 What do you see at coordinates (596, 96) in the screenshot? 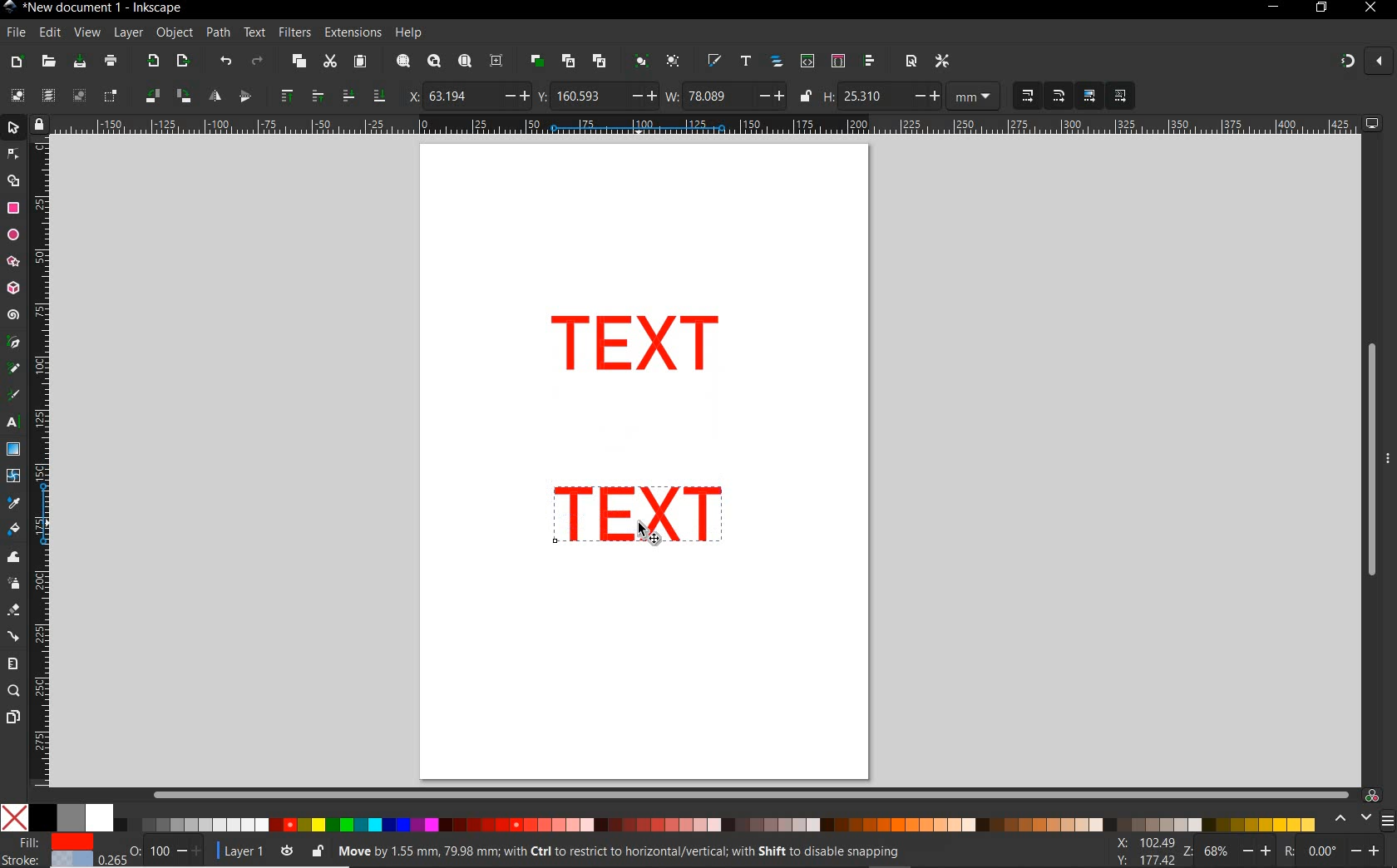
I see `vertical coordinate of selection` at bounding box center [596, 96].